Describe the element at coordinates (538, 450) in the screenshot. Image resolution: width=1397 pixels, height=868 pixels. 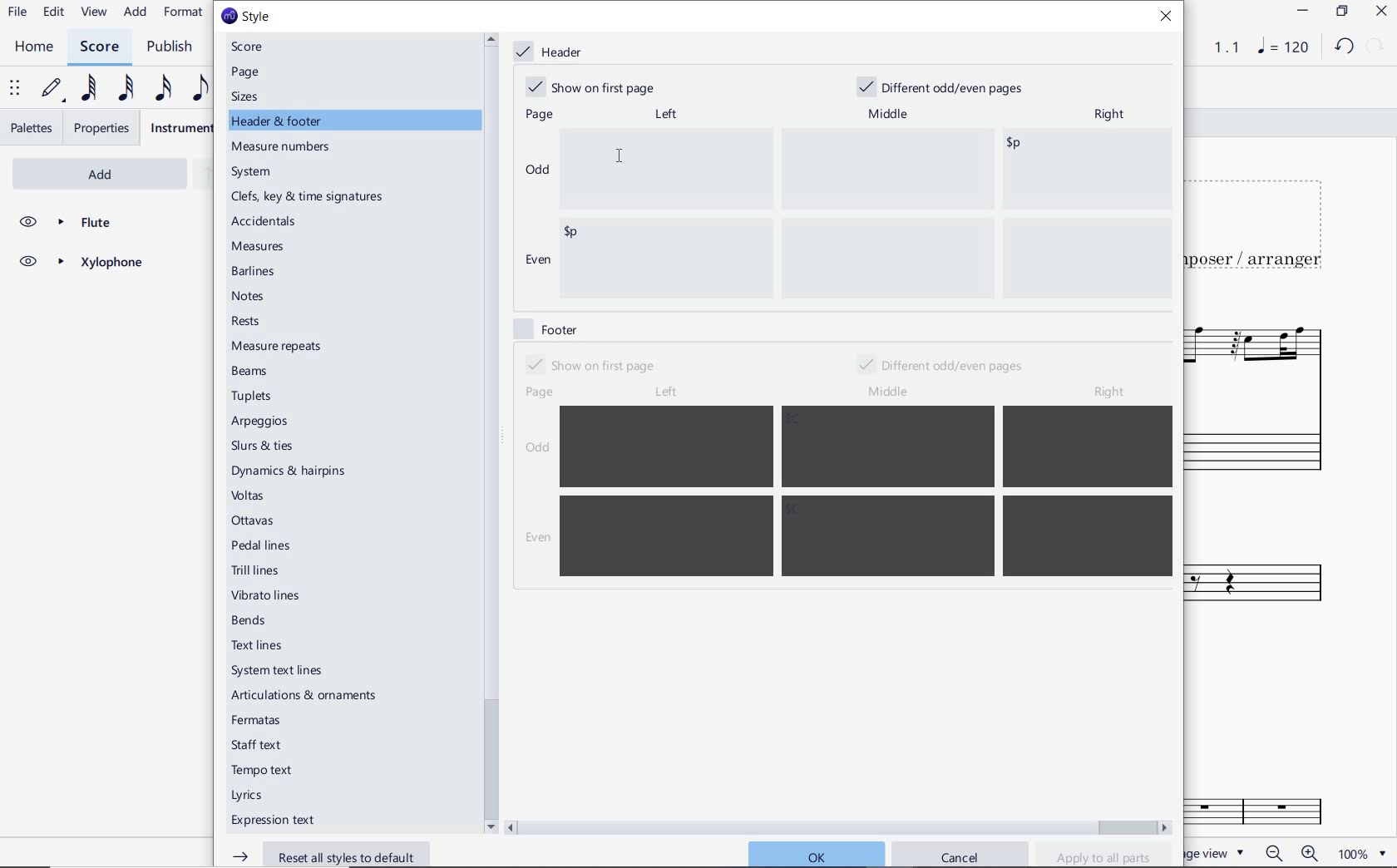
I see `odd` at that location.